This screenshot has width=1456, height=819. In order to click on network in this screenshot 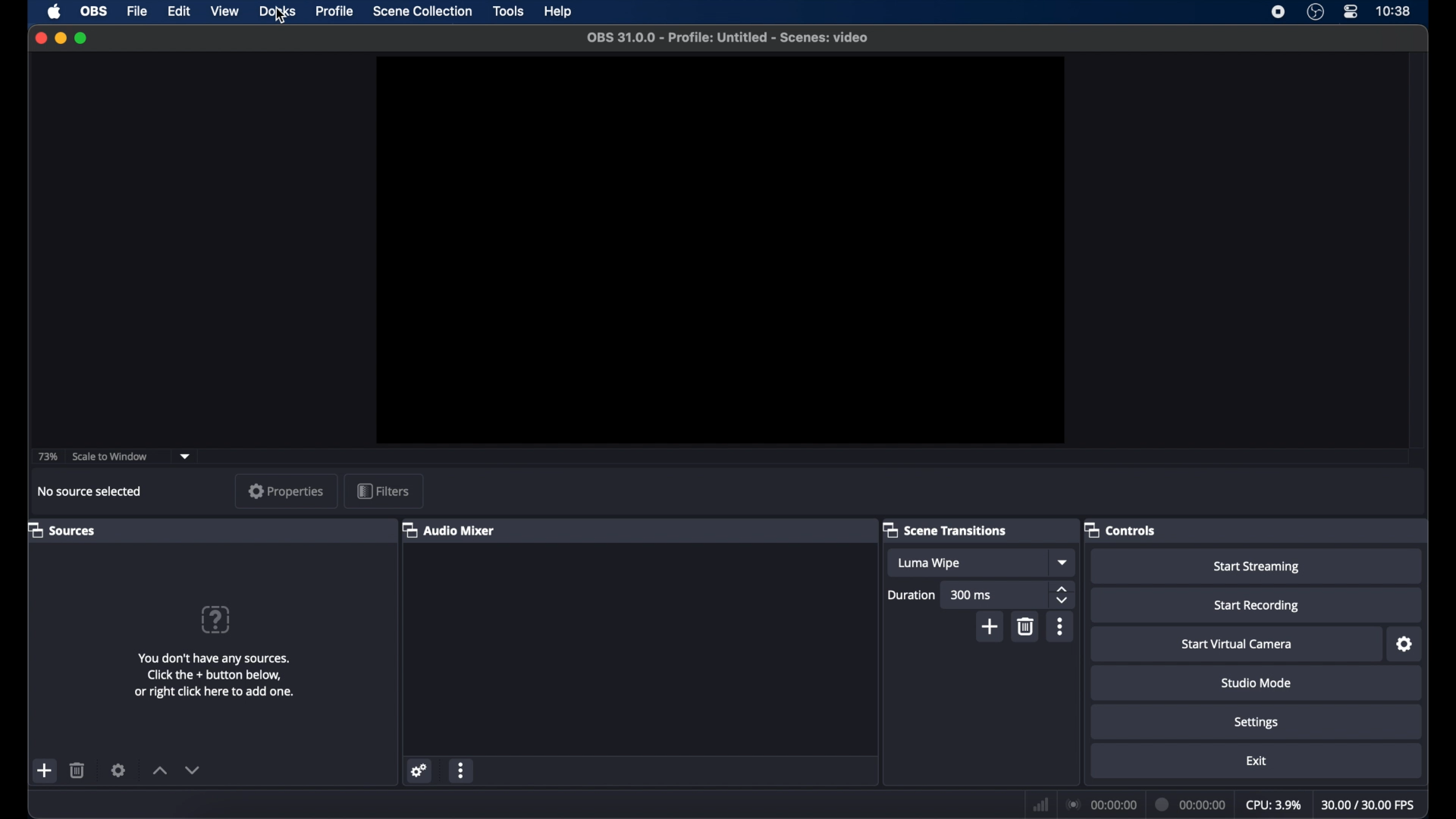, I will do `click(1040, 804)`.